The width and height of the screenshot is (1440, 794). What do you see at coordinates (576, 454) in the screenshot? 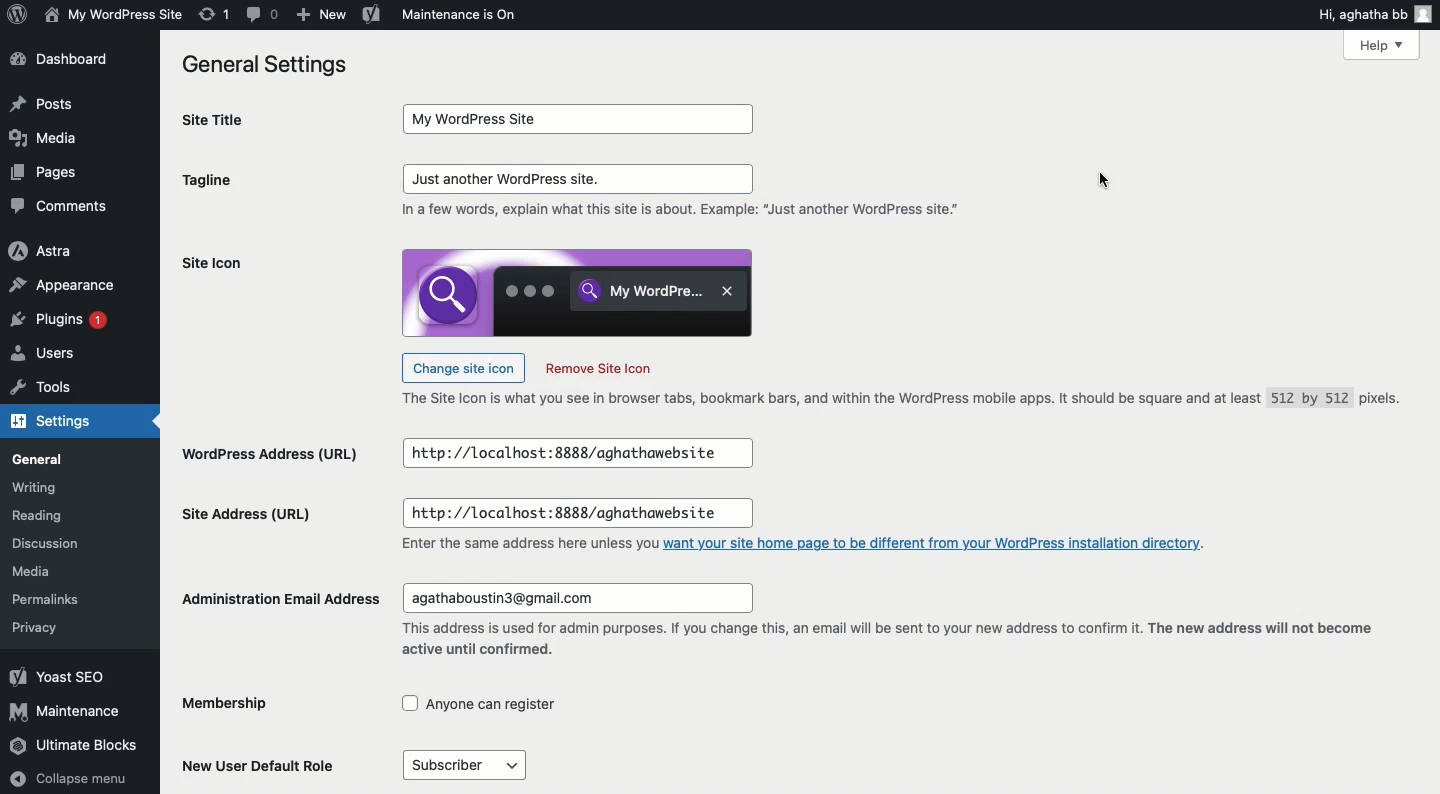
I see `input box` at bounding box center [576, 454].